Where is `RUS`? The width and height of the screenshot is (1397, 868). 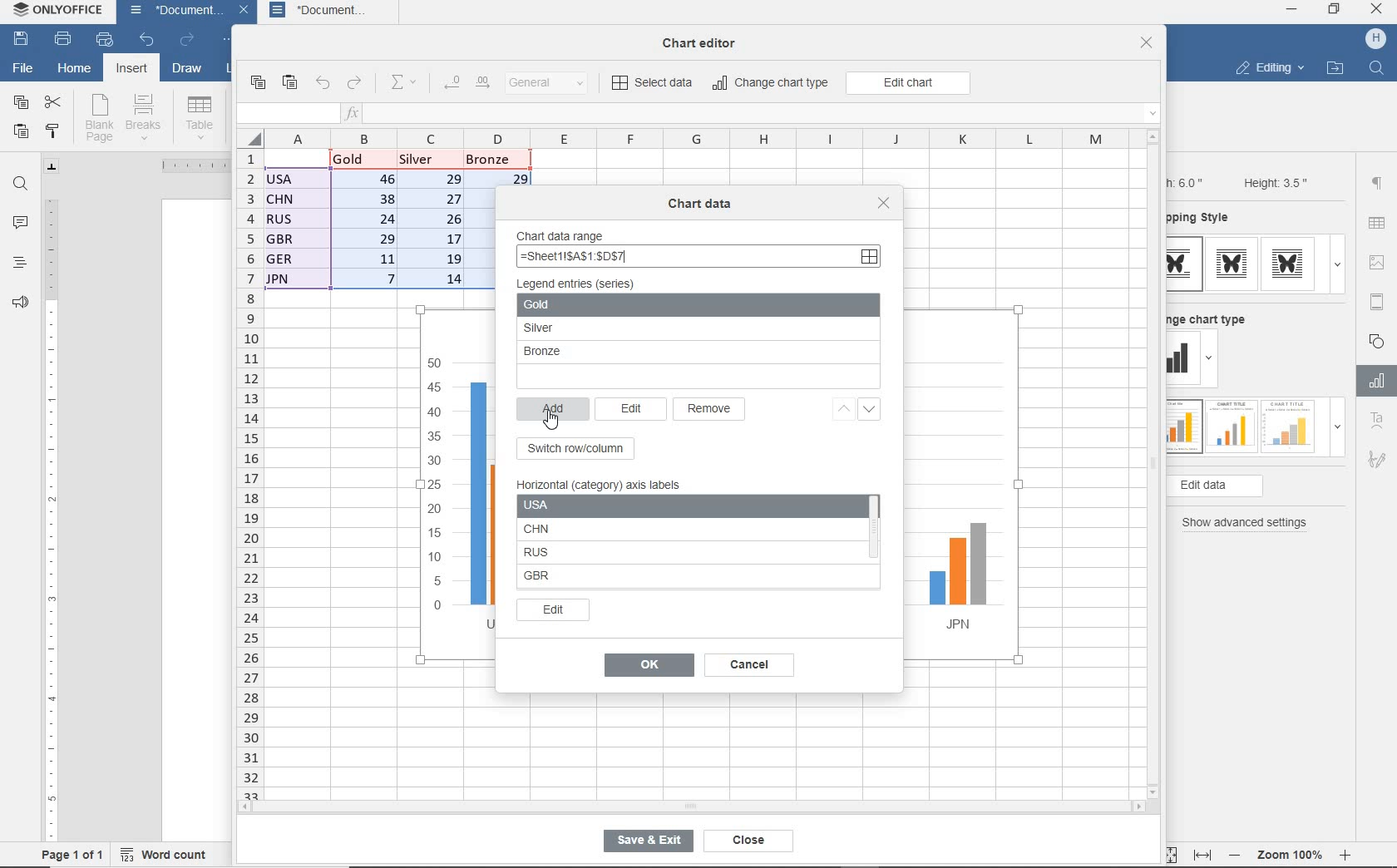 RUS is located at coordinates (671, 550).